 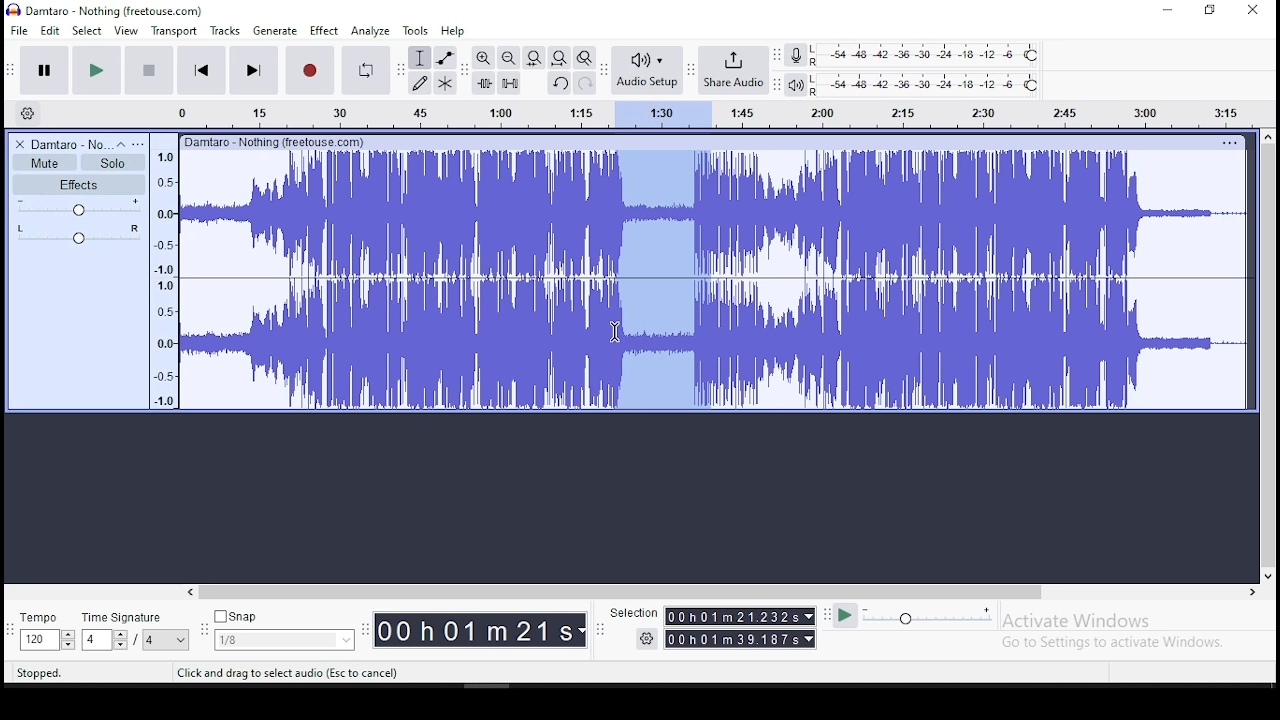 I want to click on 00 h 01 m 39.187s, so click(x=733, y=639).